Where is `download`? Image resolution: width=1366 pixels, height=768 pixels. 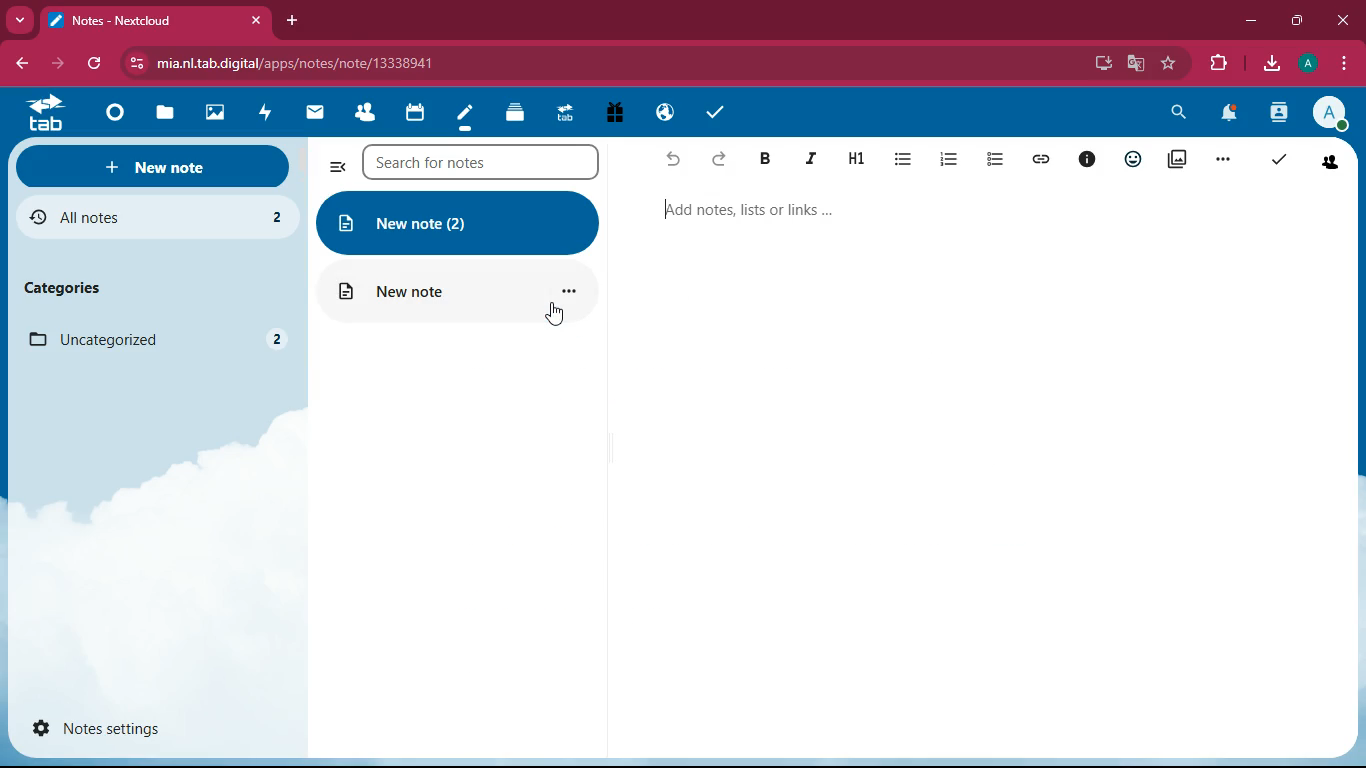
download is located at coordinates (1268, 63).